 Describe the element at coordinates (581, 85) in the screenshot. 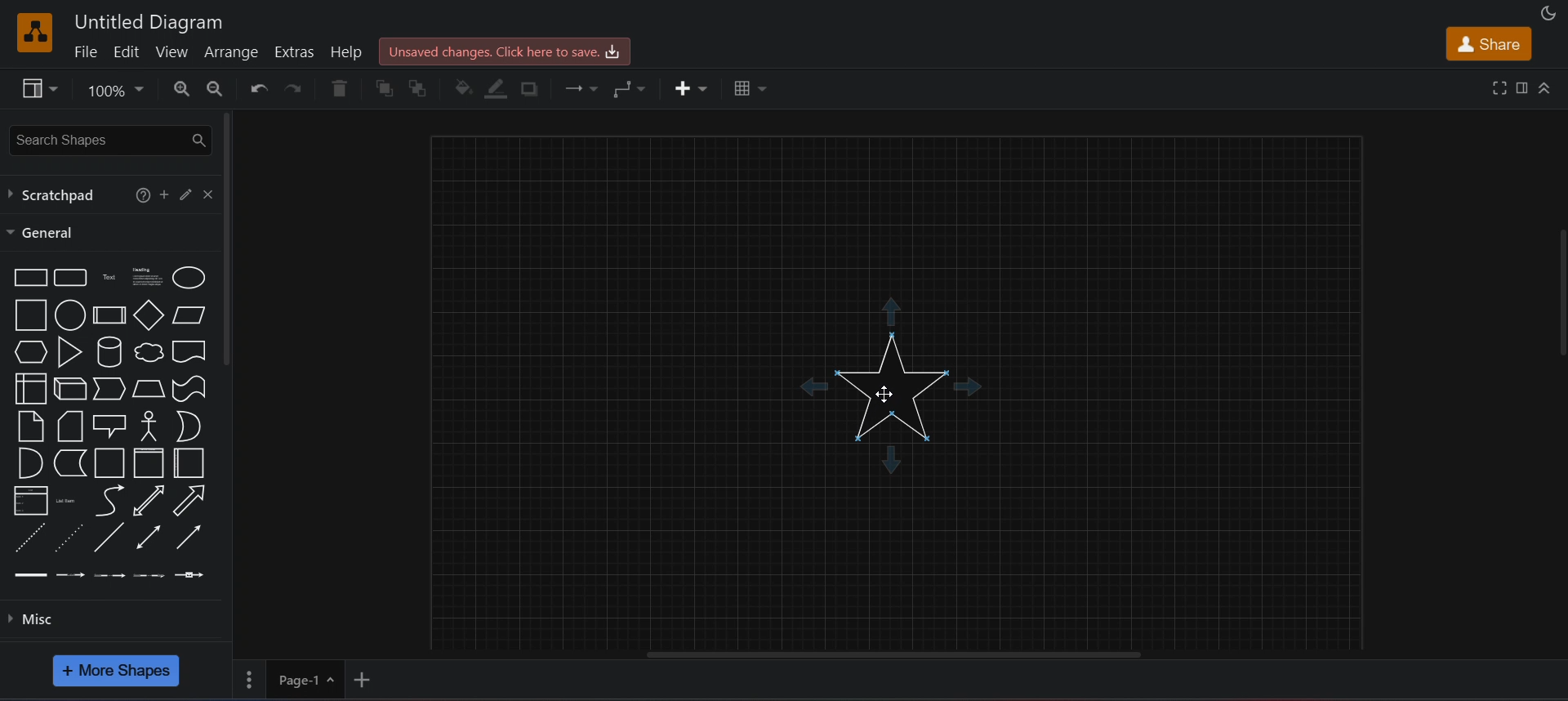

I see `connection` at that location.